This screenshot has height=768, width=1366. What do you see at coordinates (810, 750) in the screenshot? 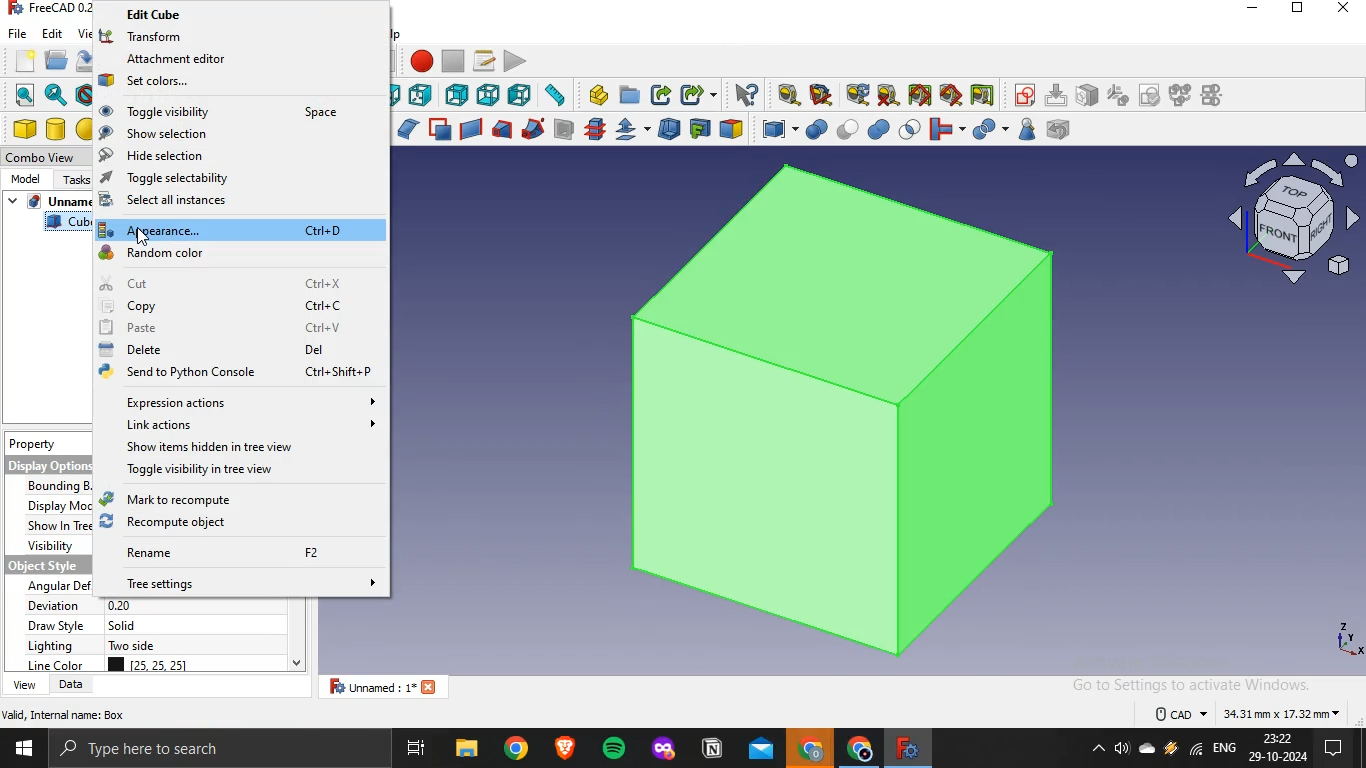
I see `google chrome` at bounding box center [810, 750].